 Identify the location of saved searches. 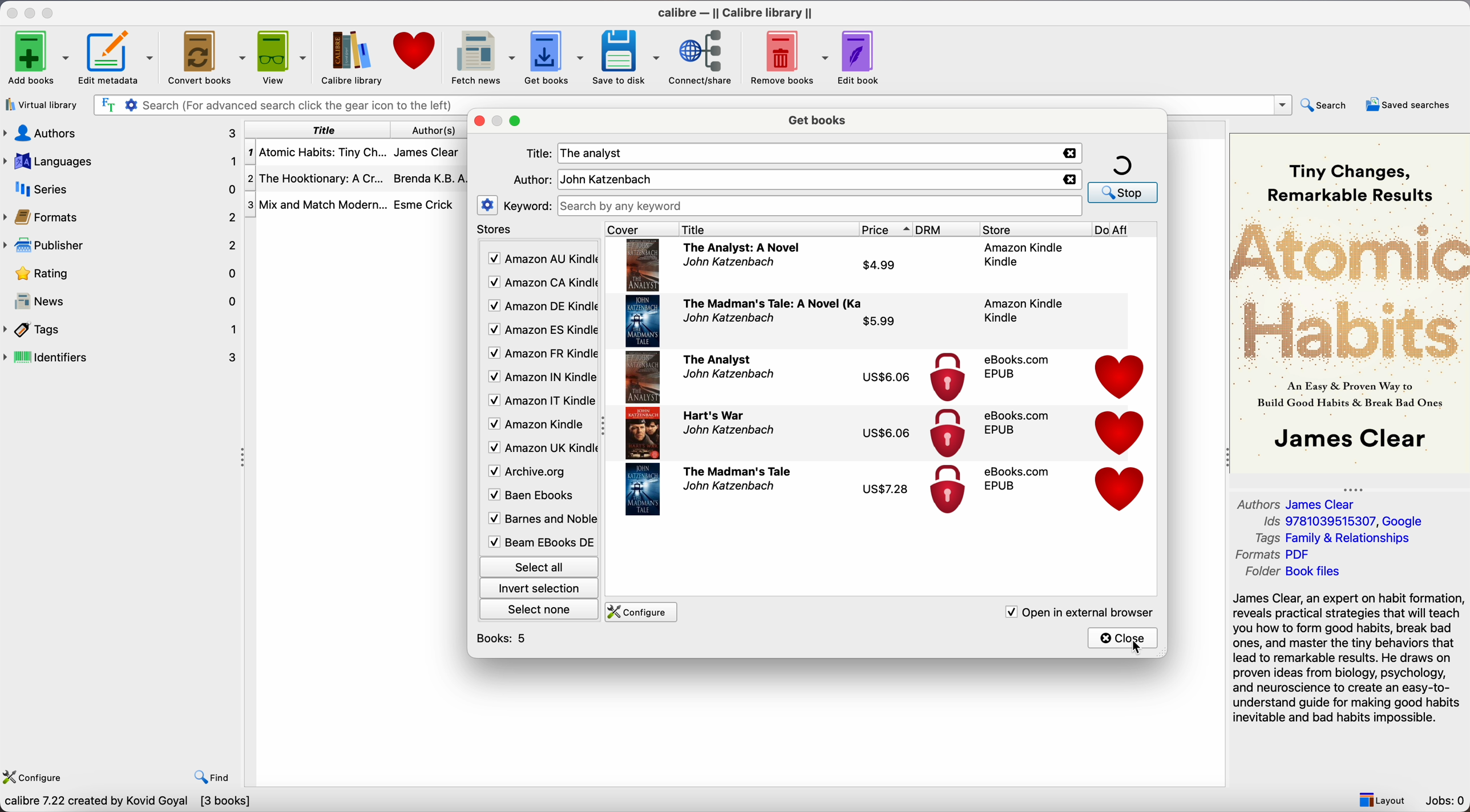
(1408, 103).